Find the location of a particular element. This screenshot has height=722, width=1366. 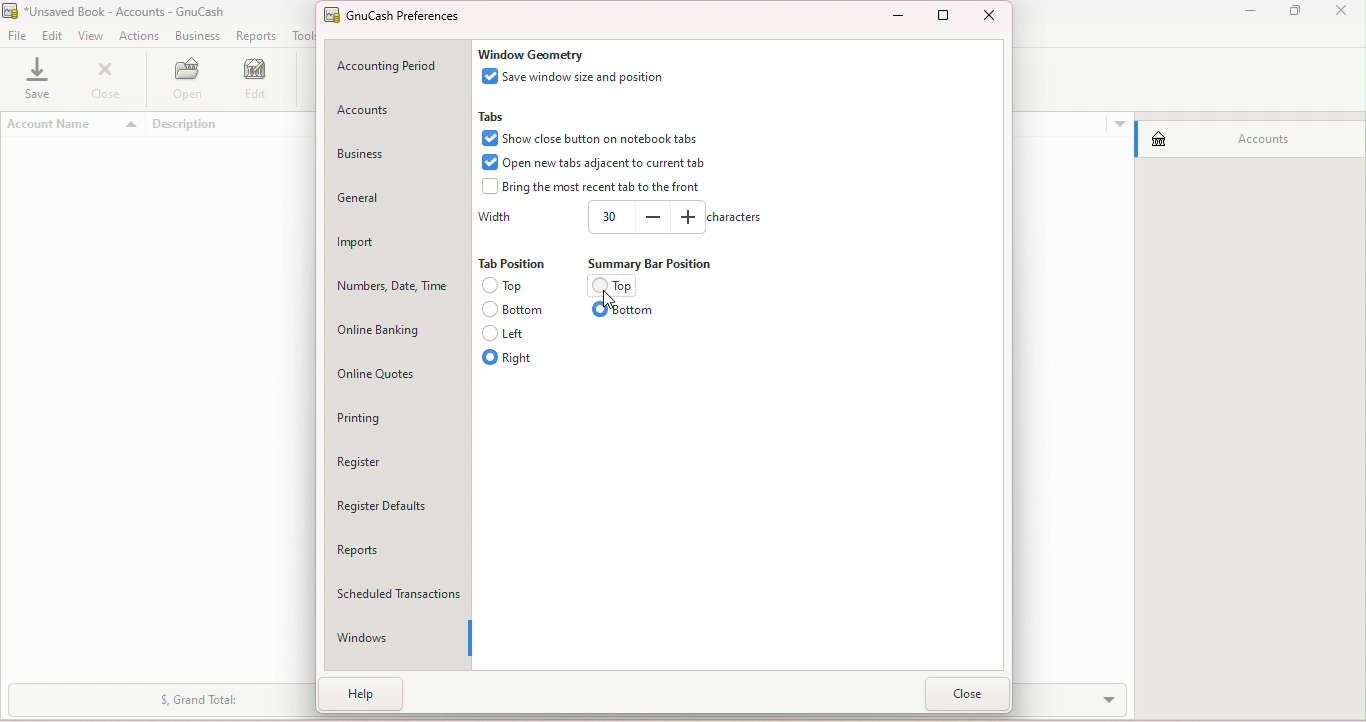

Reports is located at coordinates (255, 36).